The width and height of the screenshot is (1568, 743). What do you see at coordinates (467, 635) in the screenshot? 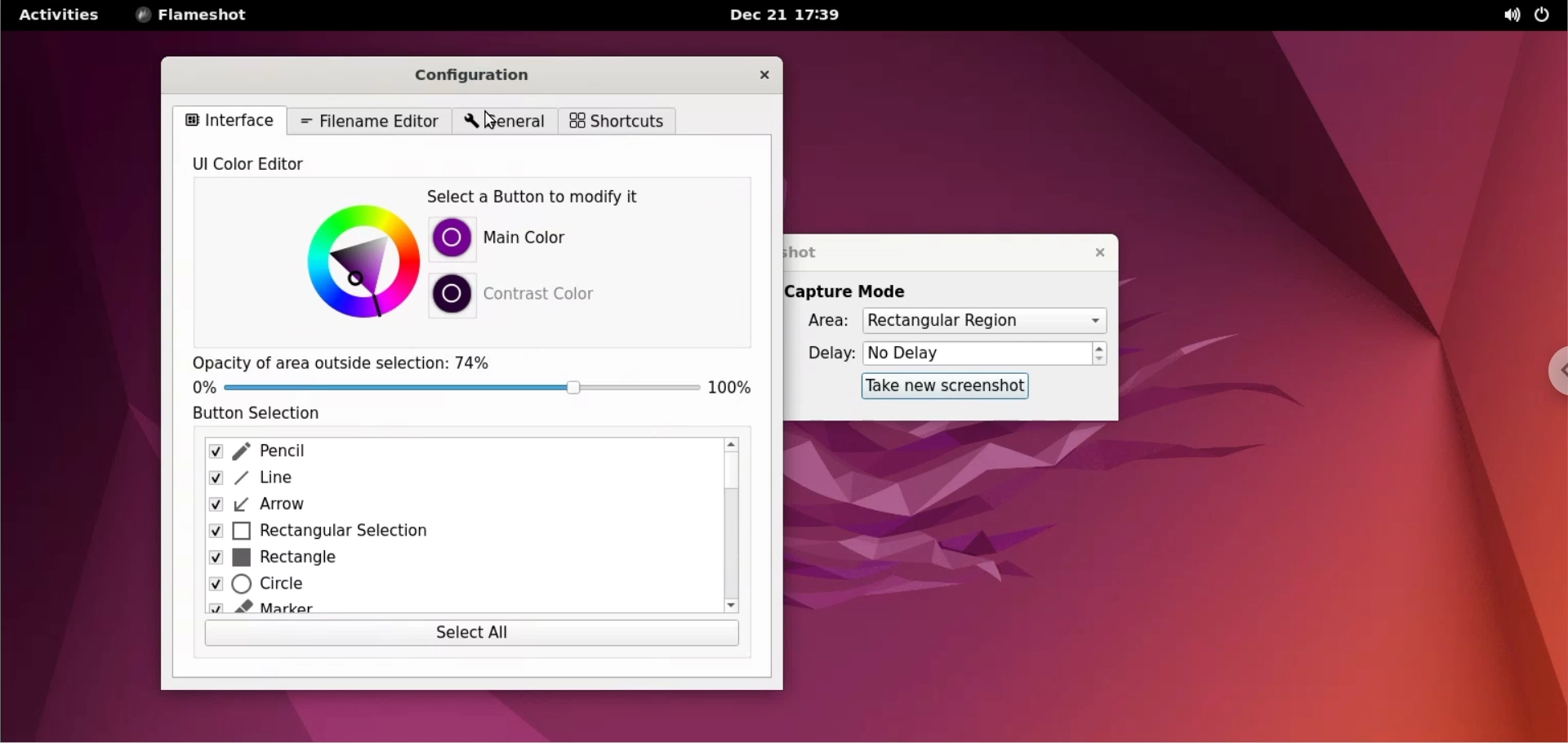
I see `select all` at bounding box center [467, 635].